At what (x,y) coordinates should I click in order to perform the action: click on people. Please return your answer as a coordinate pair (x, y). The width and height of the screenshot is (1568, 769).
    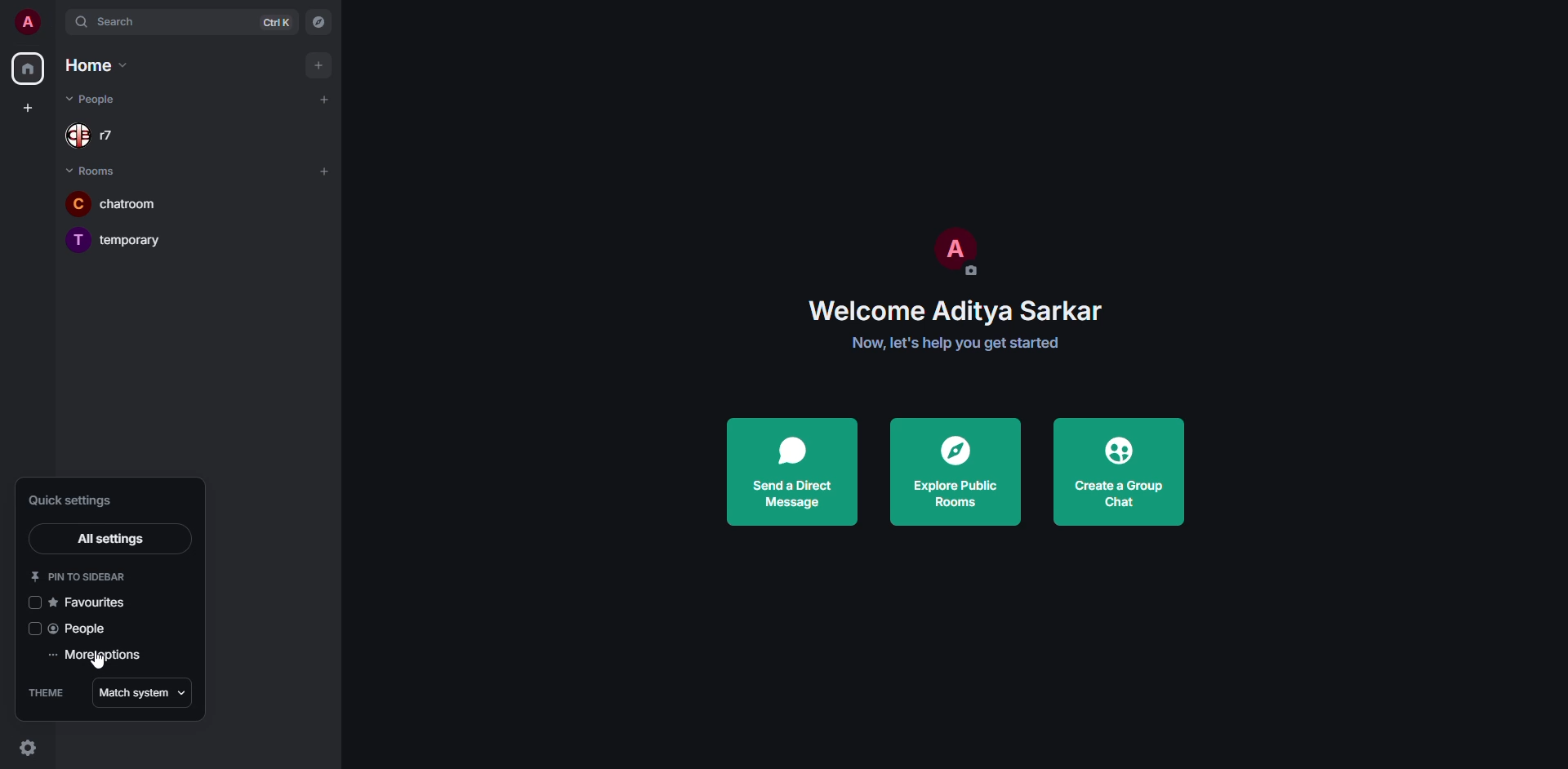
    Looking at the image, I should click on (96, 137).